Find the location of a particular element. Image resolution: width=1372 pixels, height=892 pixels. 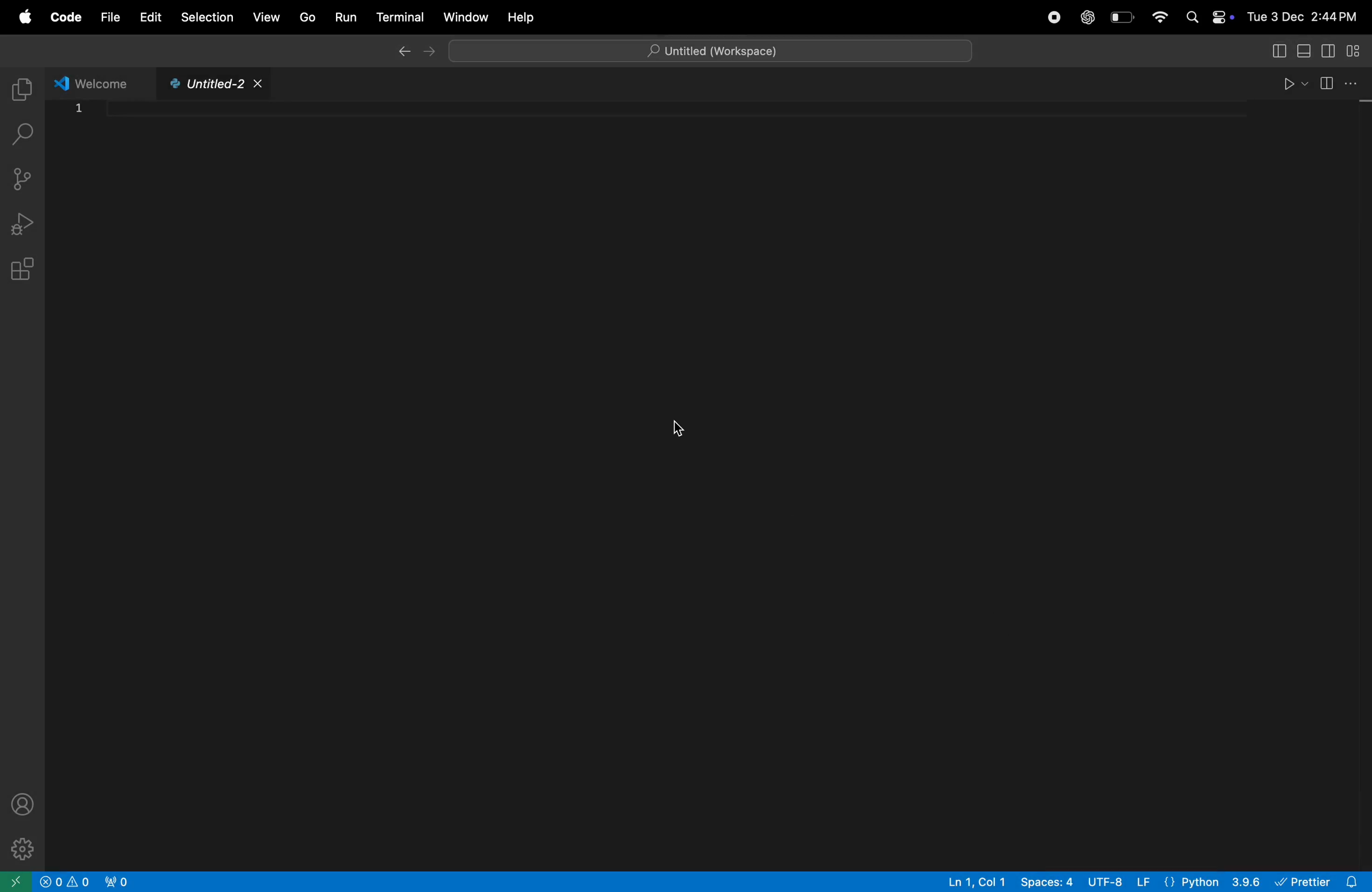

search is located at coordinates (24, 138).